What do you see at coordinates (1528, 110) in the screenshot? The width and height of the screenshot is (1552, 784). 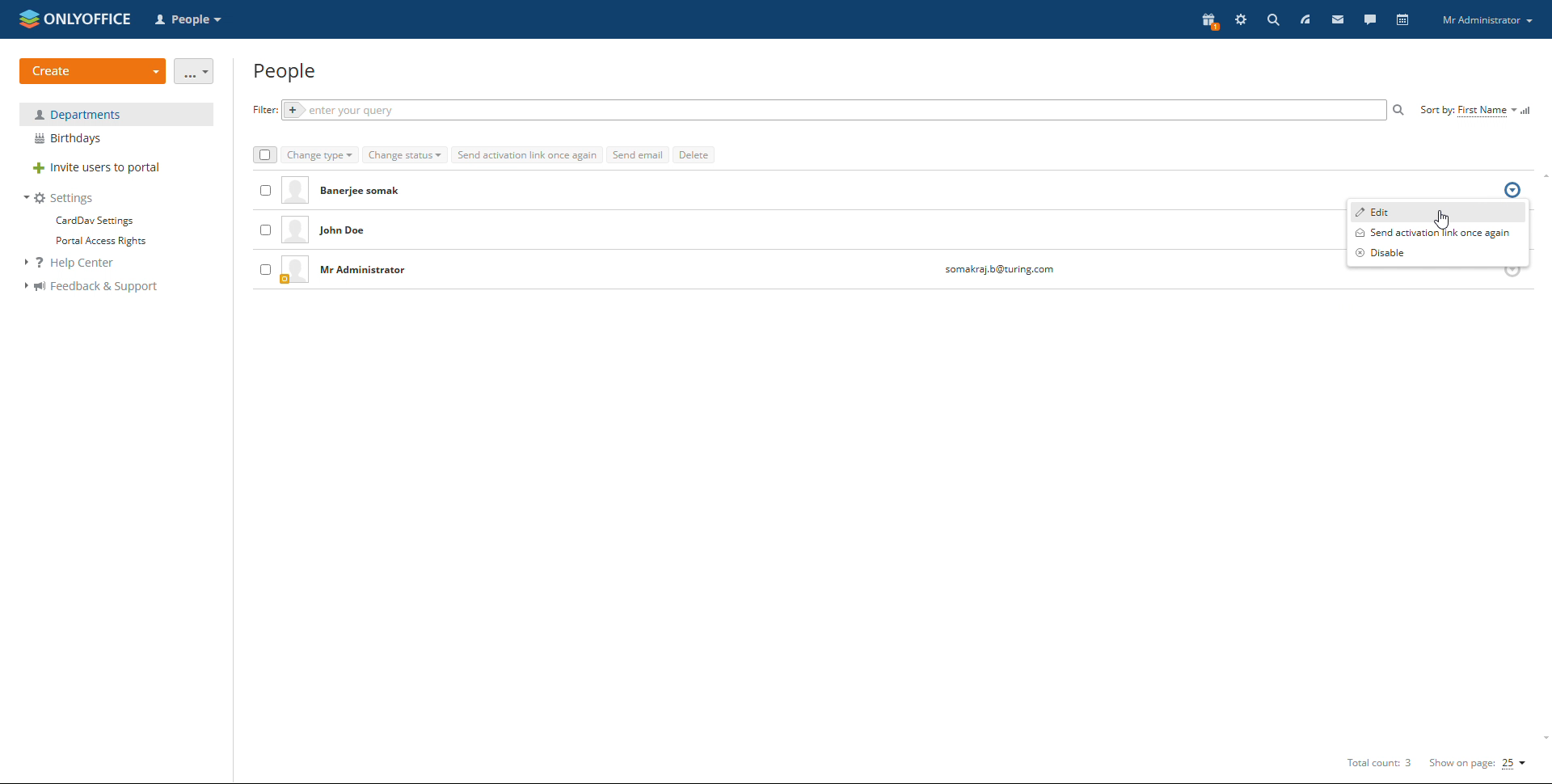 I see `sorting order` at bounding box center [1528, 110].